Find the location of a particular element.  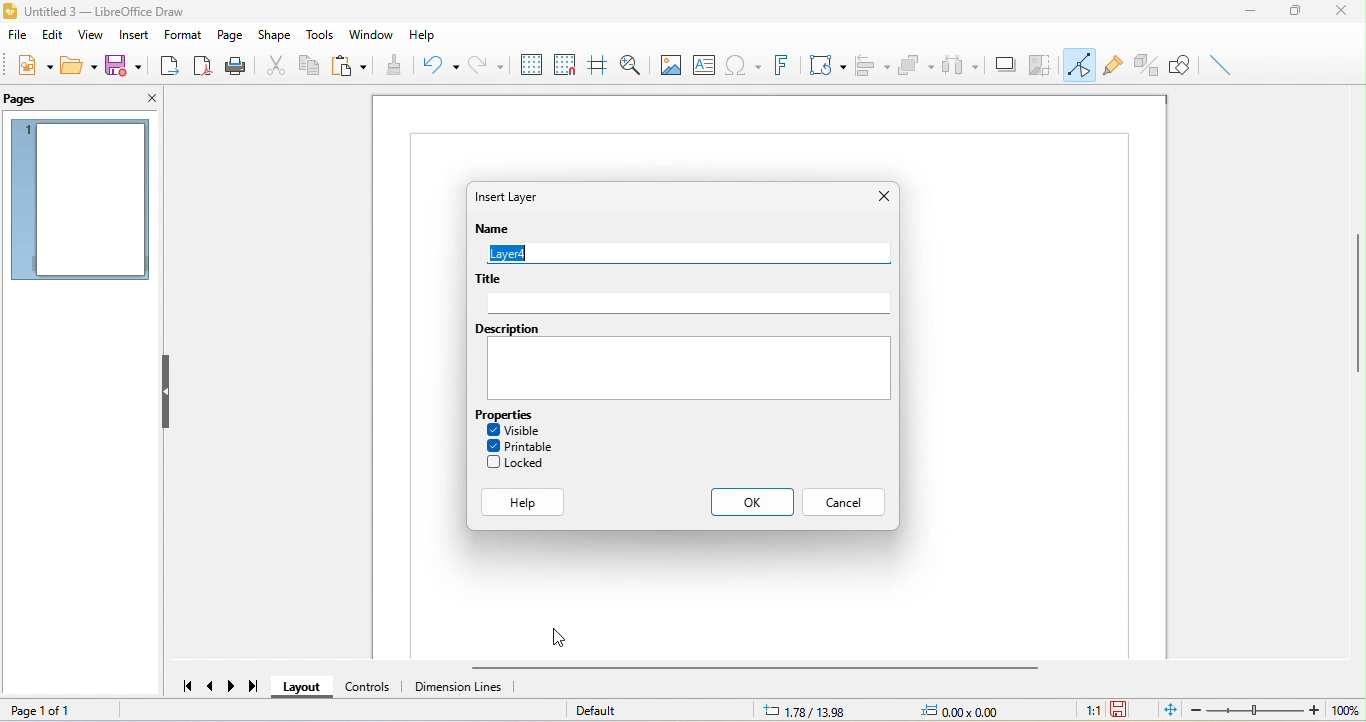

default is located at coordinates (622, 710).